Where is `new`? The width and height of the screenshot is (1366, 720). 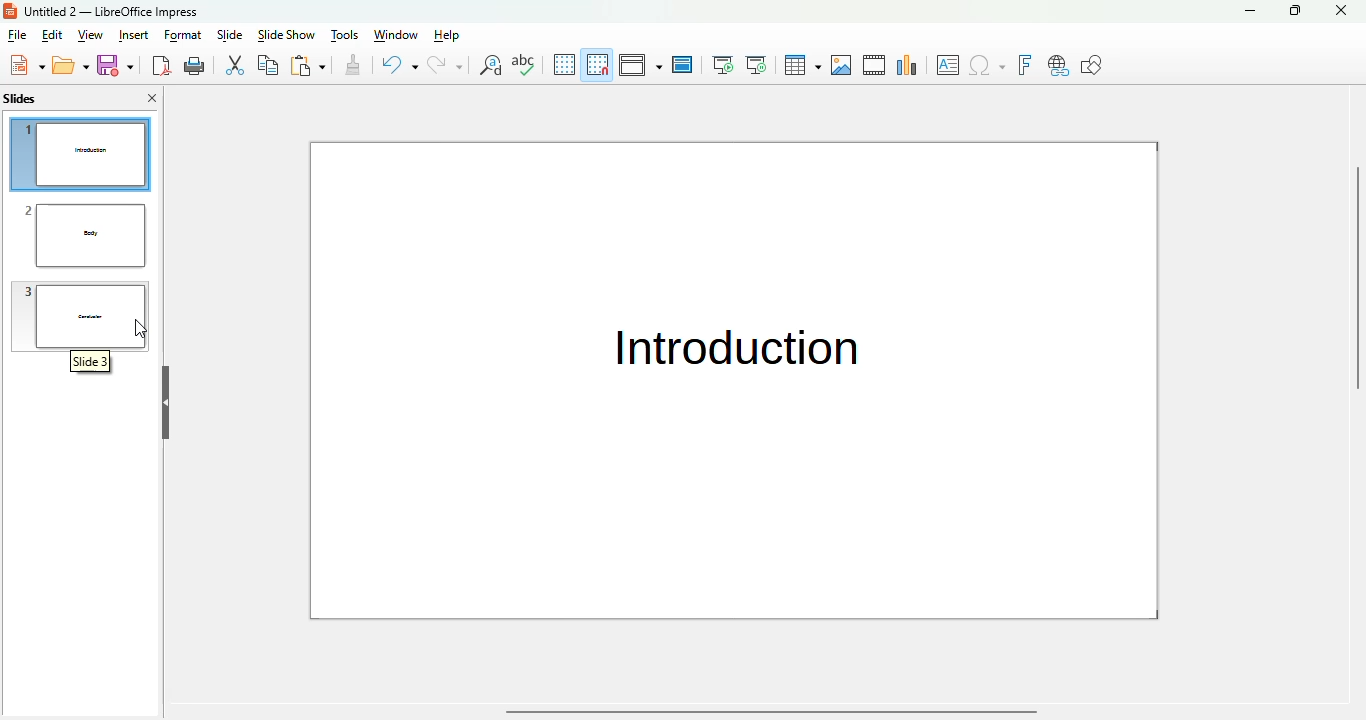
new is located at coordinates (27, 64).